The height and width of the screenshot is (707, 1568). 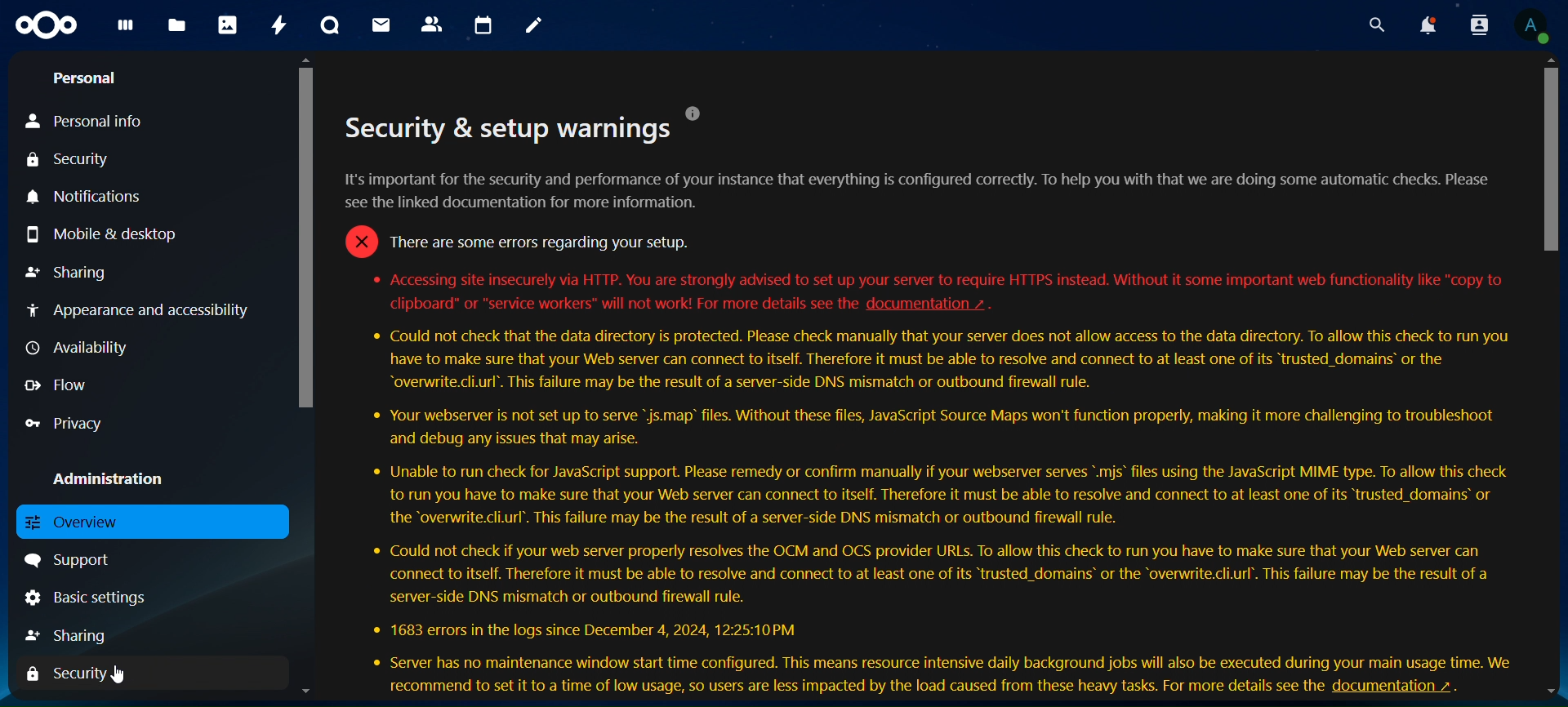 I want to click on scrollbar, so click(x=303, y=233).